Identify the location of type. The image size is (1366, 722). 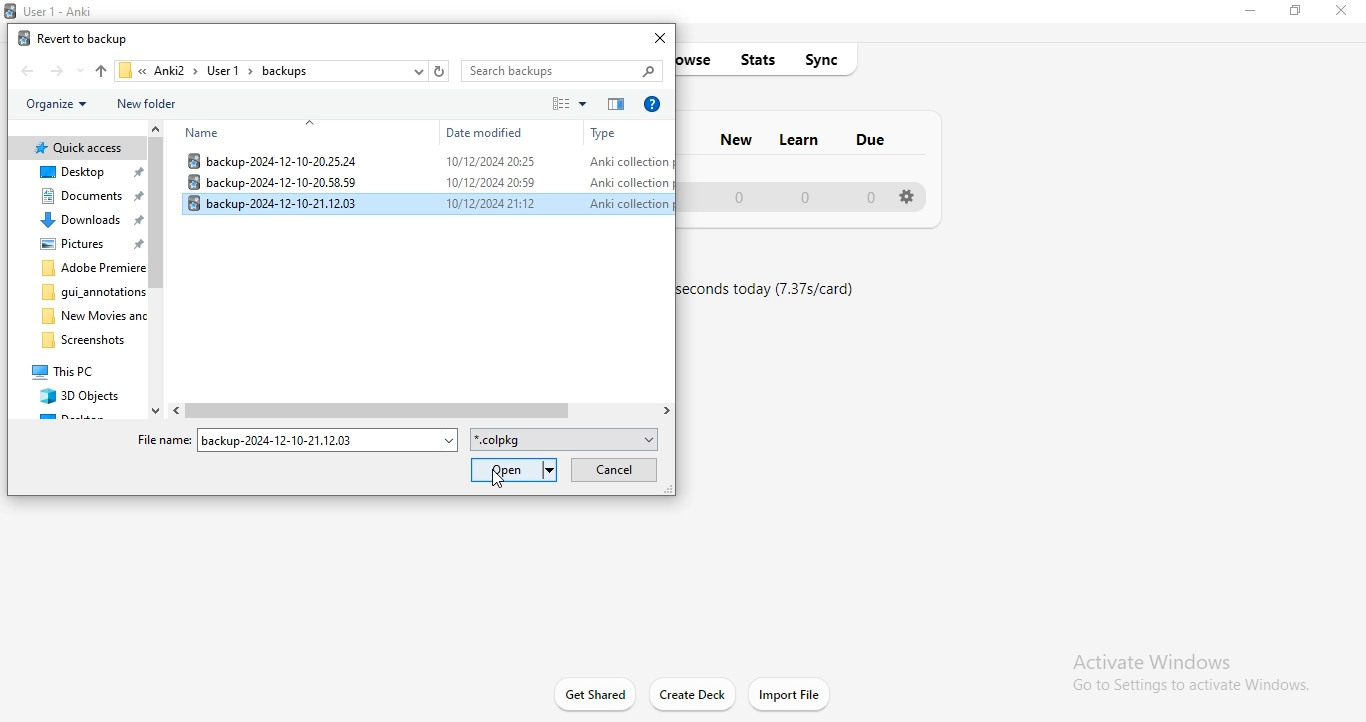
(611, 132).